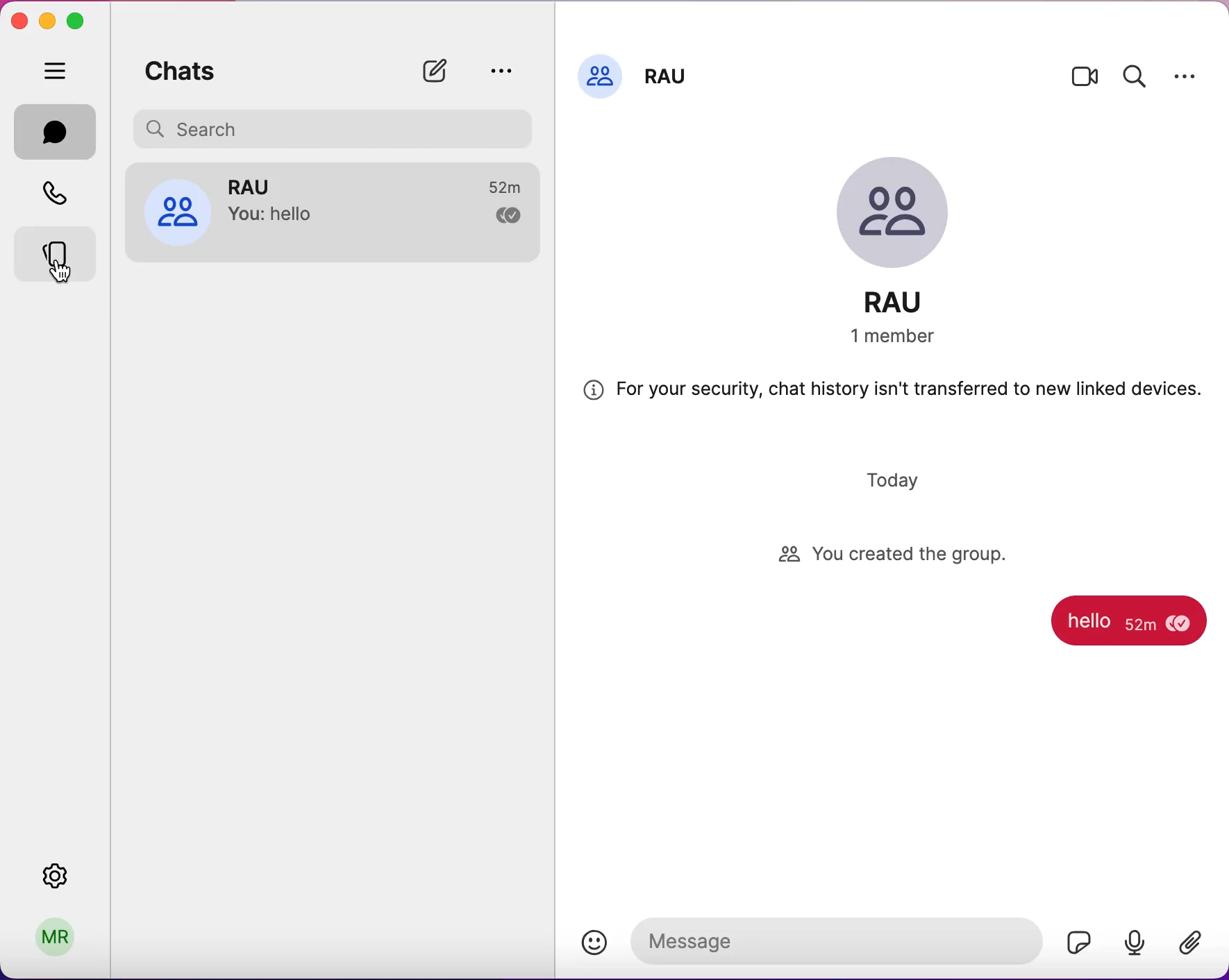 This screenshot has width=1229, height=980. What do you see at coordinates (1077, 942) in the screenshot?
I see `stickers` at bounding box center [1077, 942].